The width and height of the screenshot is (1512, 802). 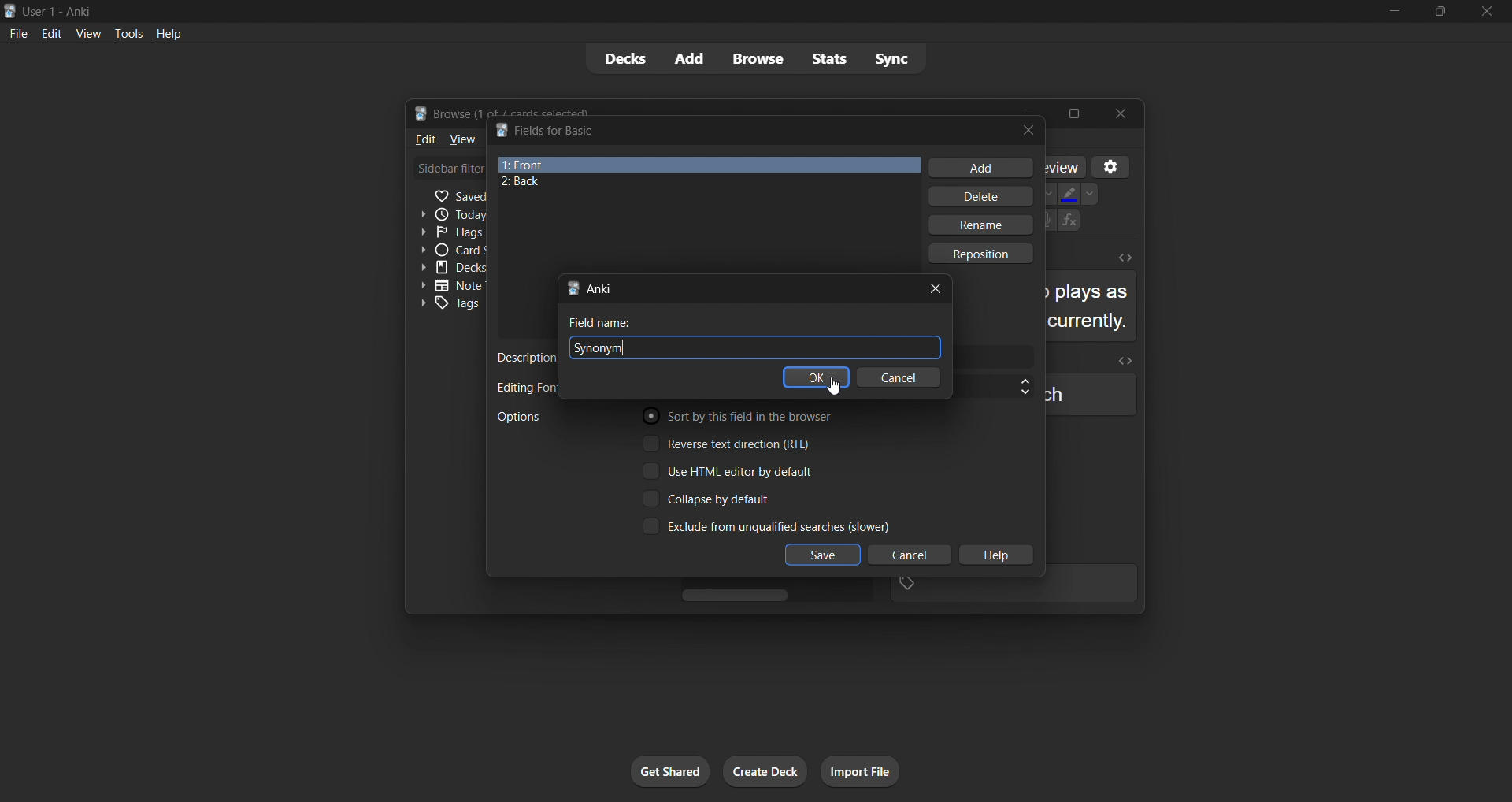 I want to click on Fill color, so click(x=1067, y=192).